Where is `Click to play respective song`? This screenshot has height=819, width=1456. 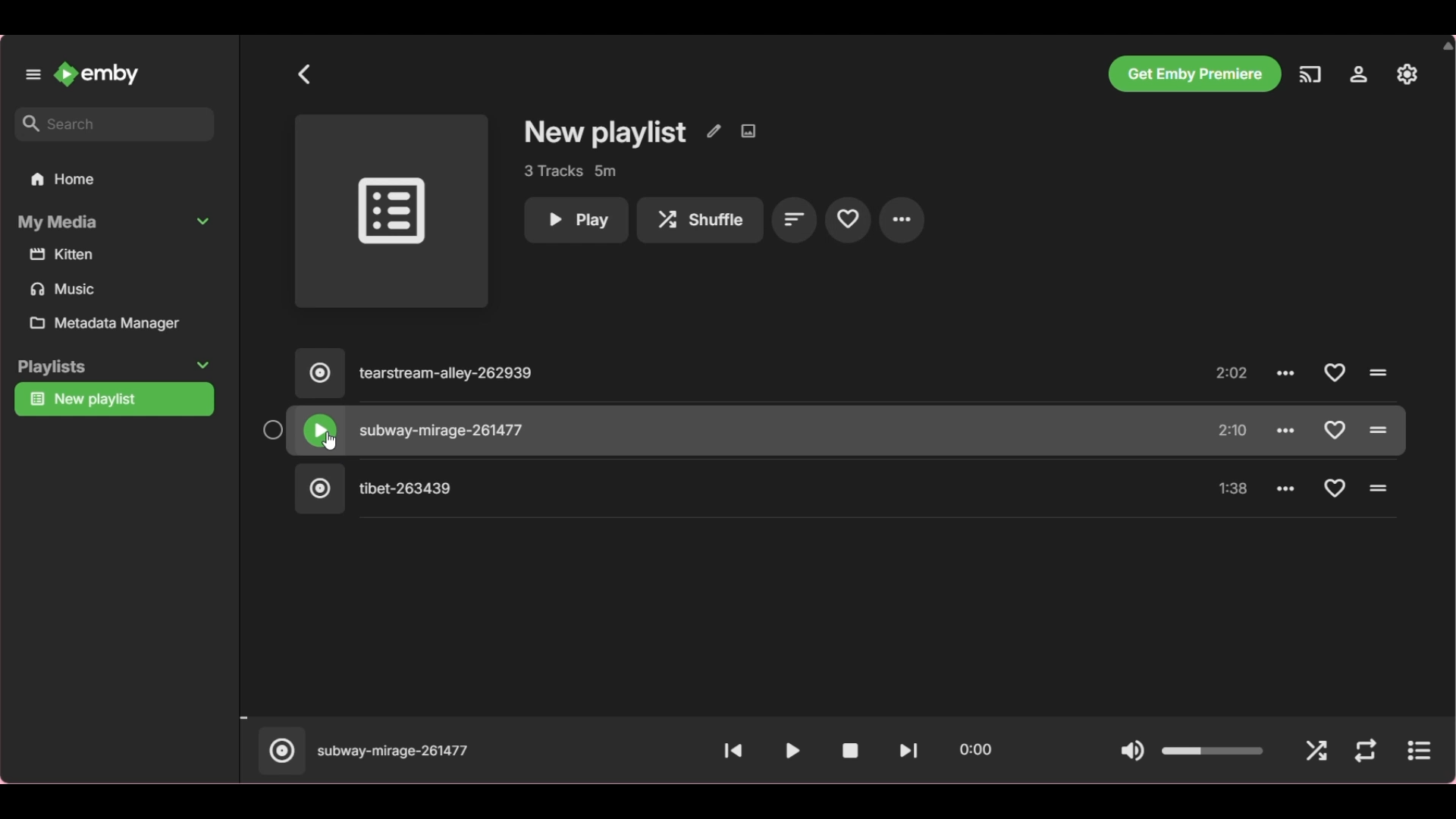 Click to play respective song is located at coordinates (1378, 429).